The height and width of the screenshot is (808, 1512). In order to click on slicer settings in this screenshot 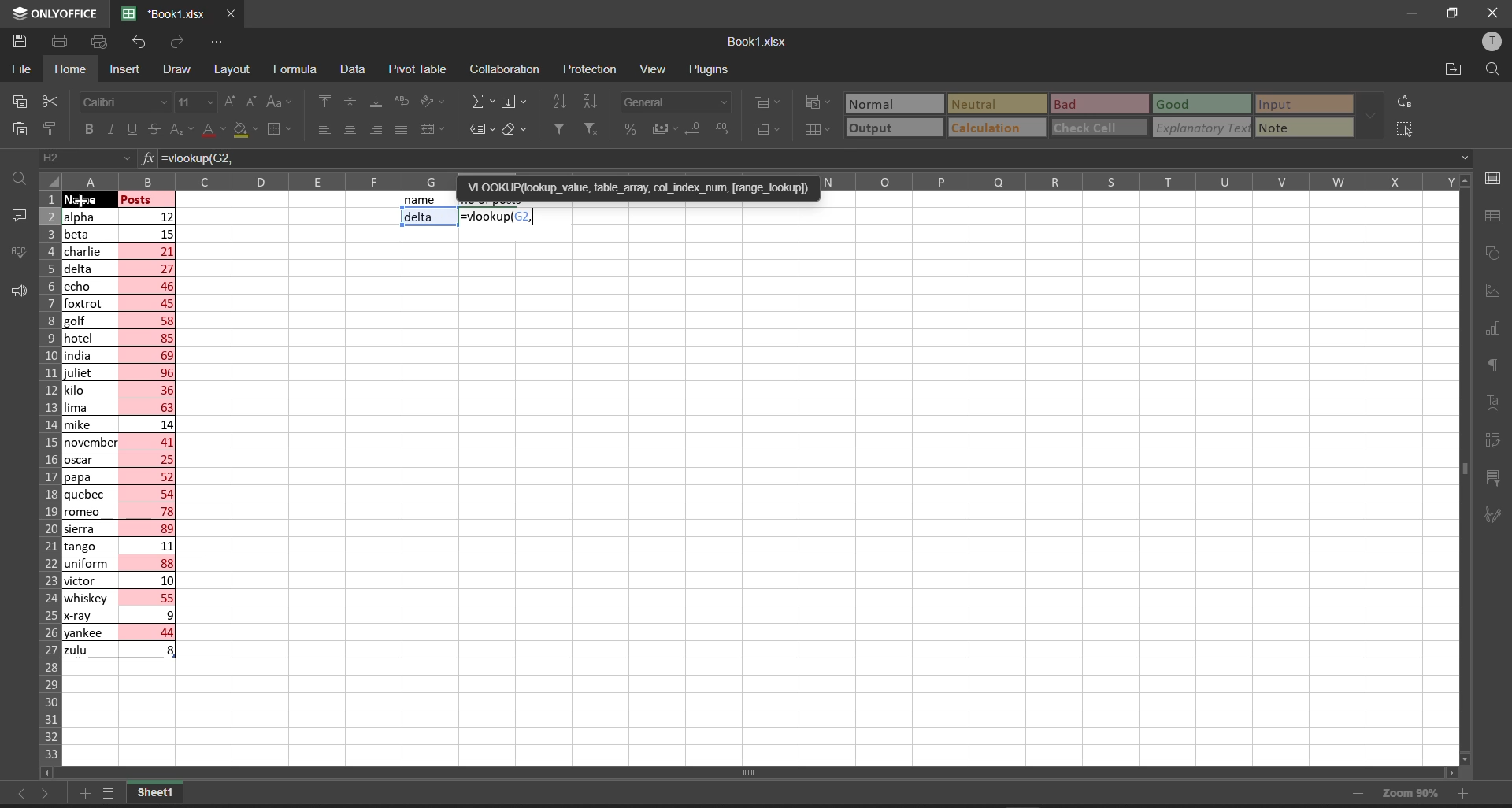, I will do `click(1501, 474)`.